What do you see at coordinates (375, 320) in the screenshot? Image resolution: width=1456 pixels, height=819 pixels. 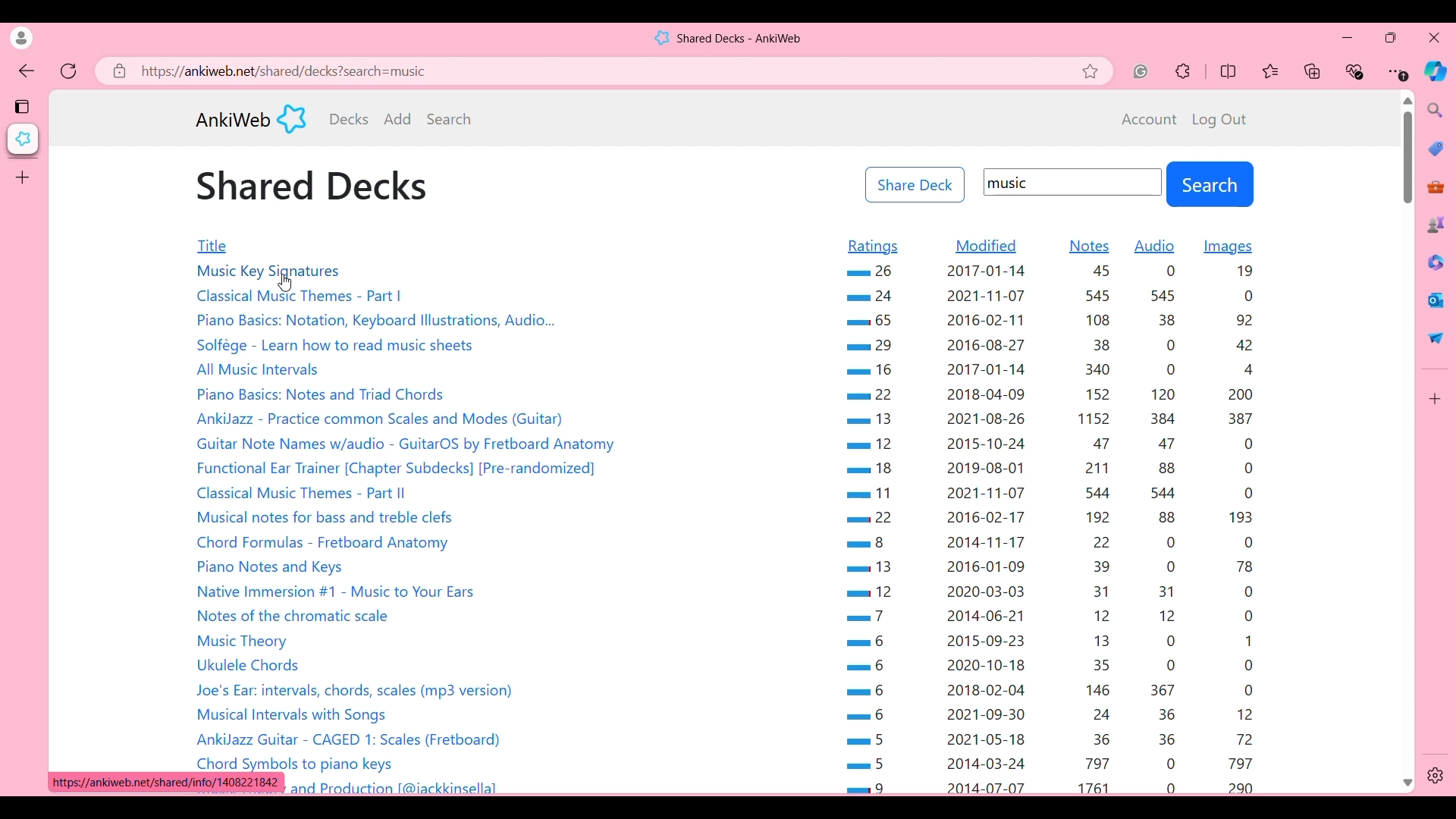 I see `Piano Basics: Notation, Keyboard Illustrations, Audio...` at bounding box center [375, 320].